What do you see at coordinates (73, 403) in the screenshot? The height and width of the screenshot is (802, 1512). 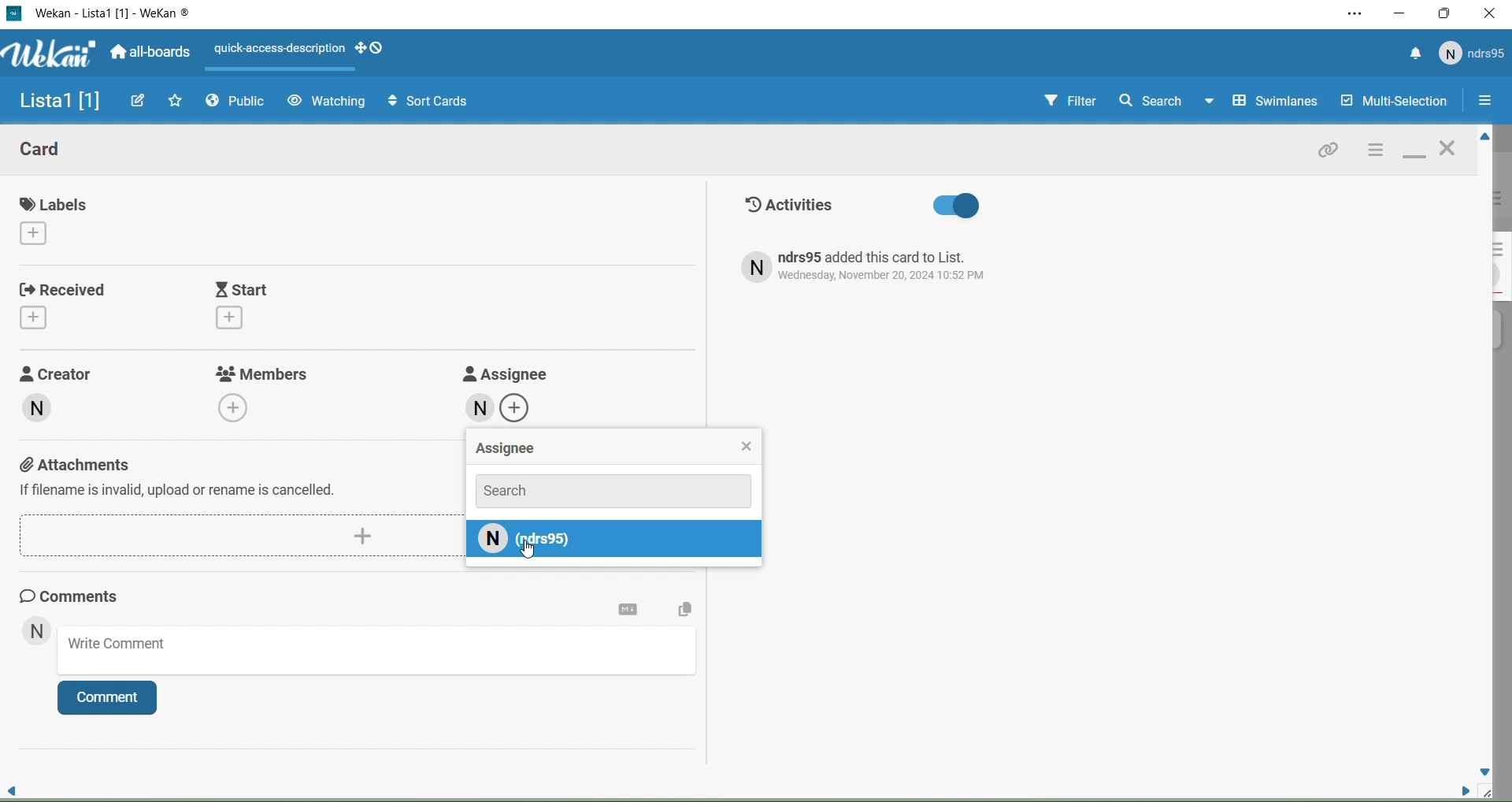 I see `Creator` at bounding box center [73, 403].